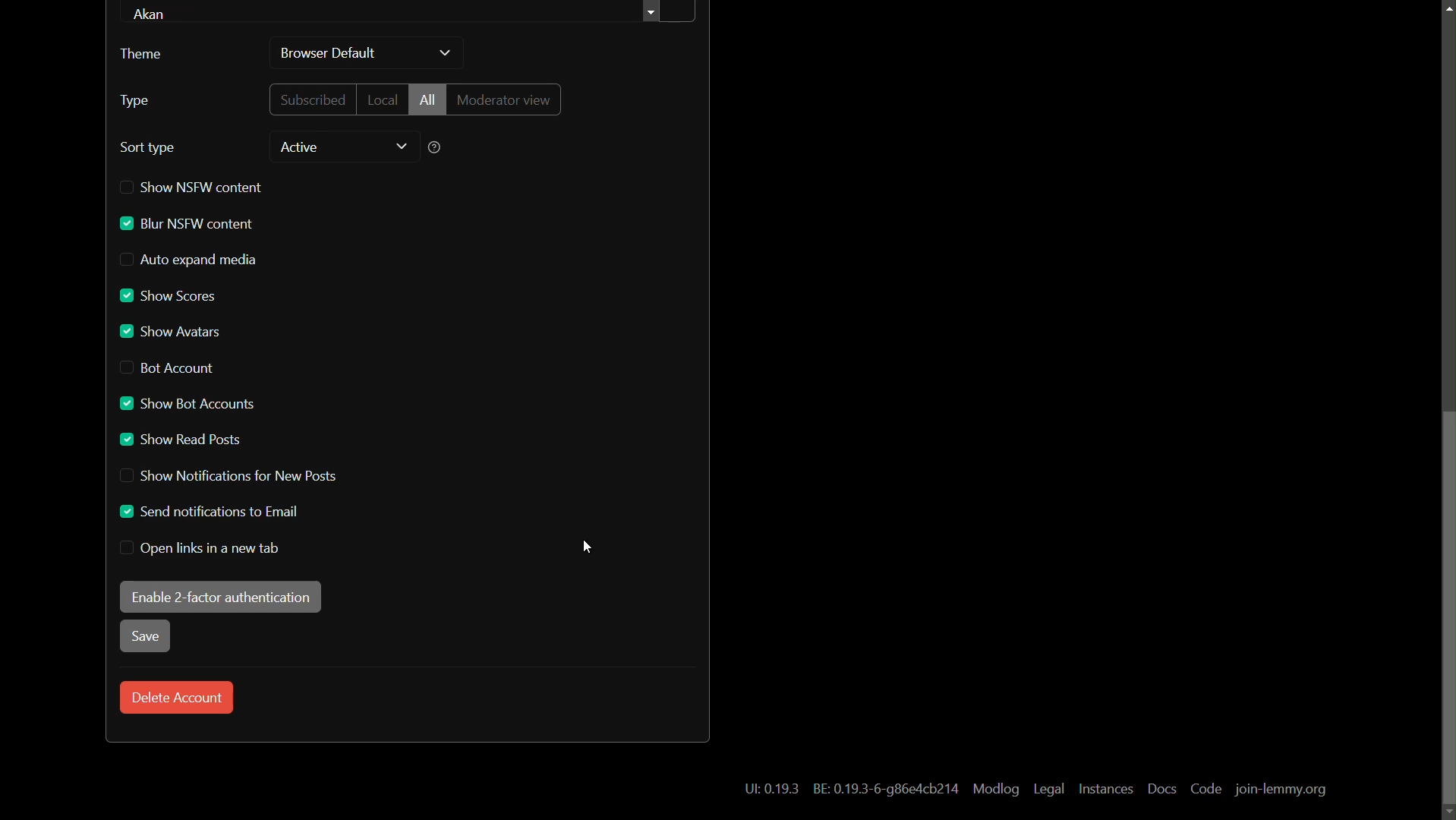  I want to click on text, so click(887, 790).